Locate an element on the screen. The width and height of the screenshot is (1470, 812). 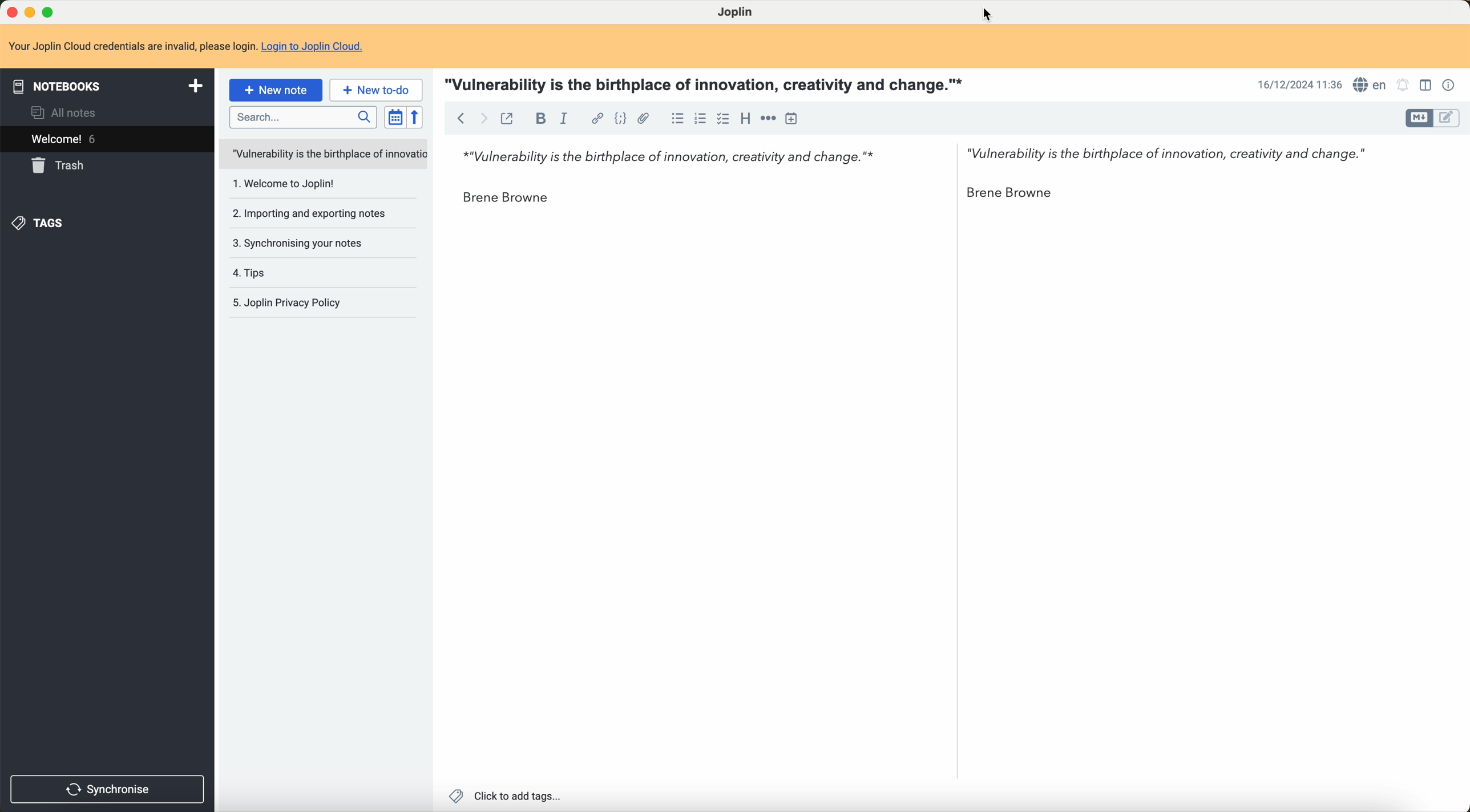
bold is located at coordinates (538, 119).